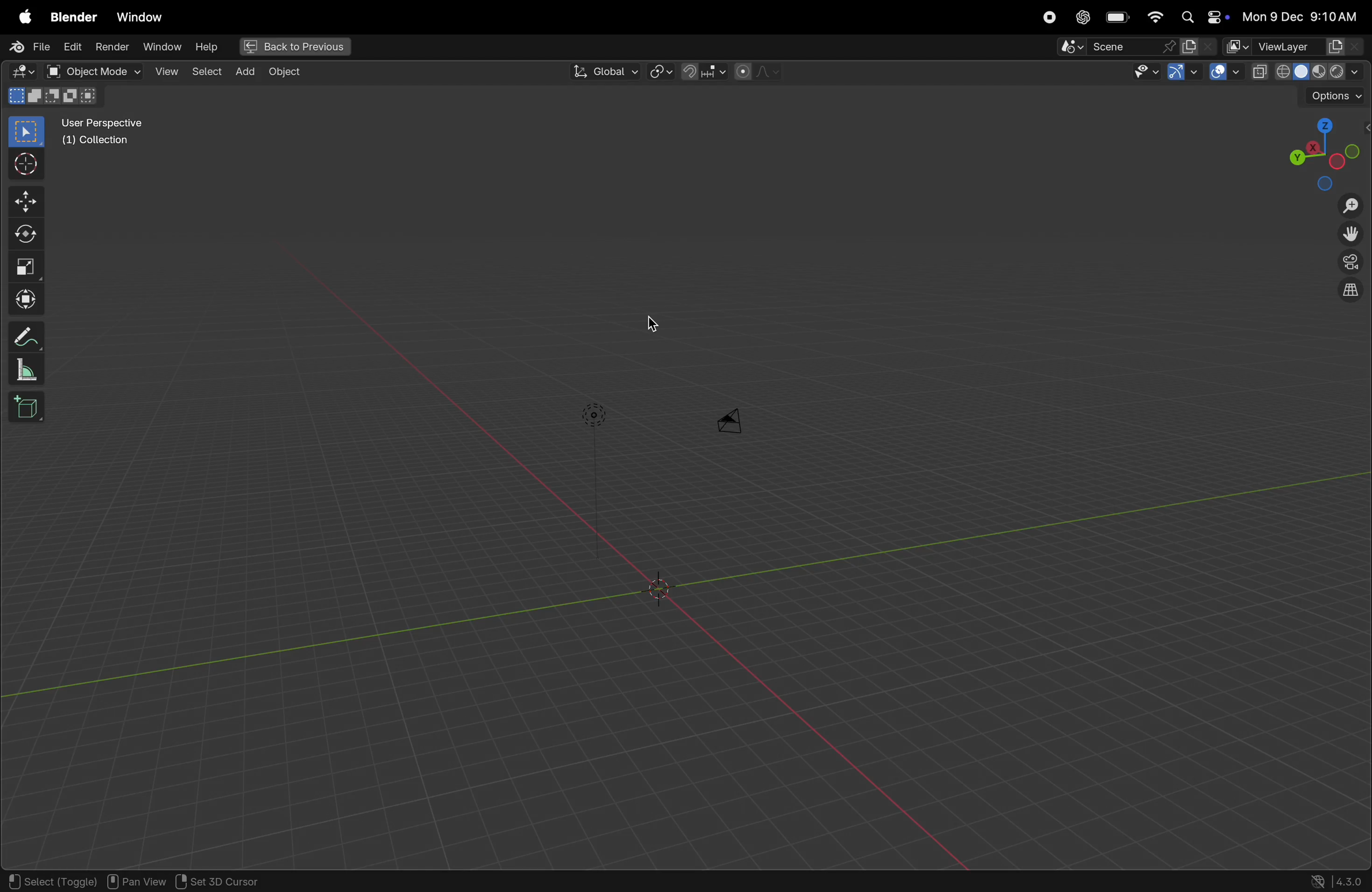  Describe the element at coordinates (661, 71) in the screenshot. I see `ransformpviot point` at that location.